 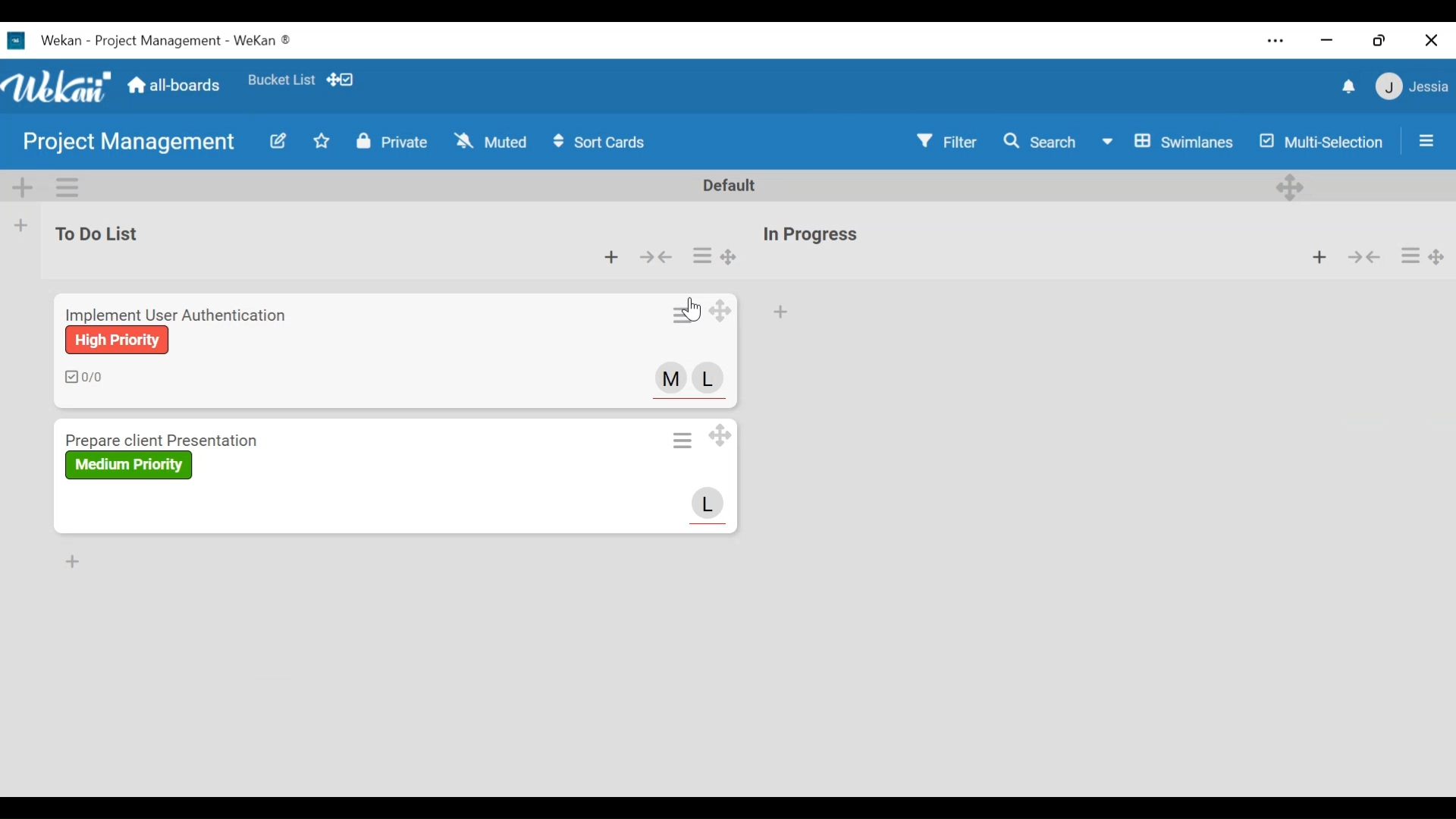 I want to click on Multi-Selection, so click(x=1326, y=143).